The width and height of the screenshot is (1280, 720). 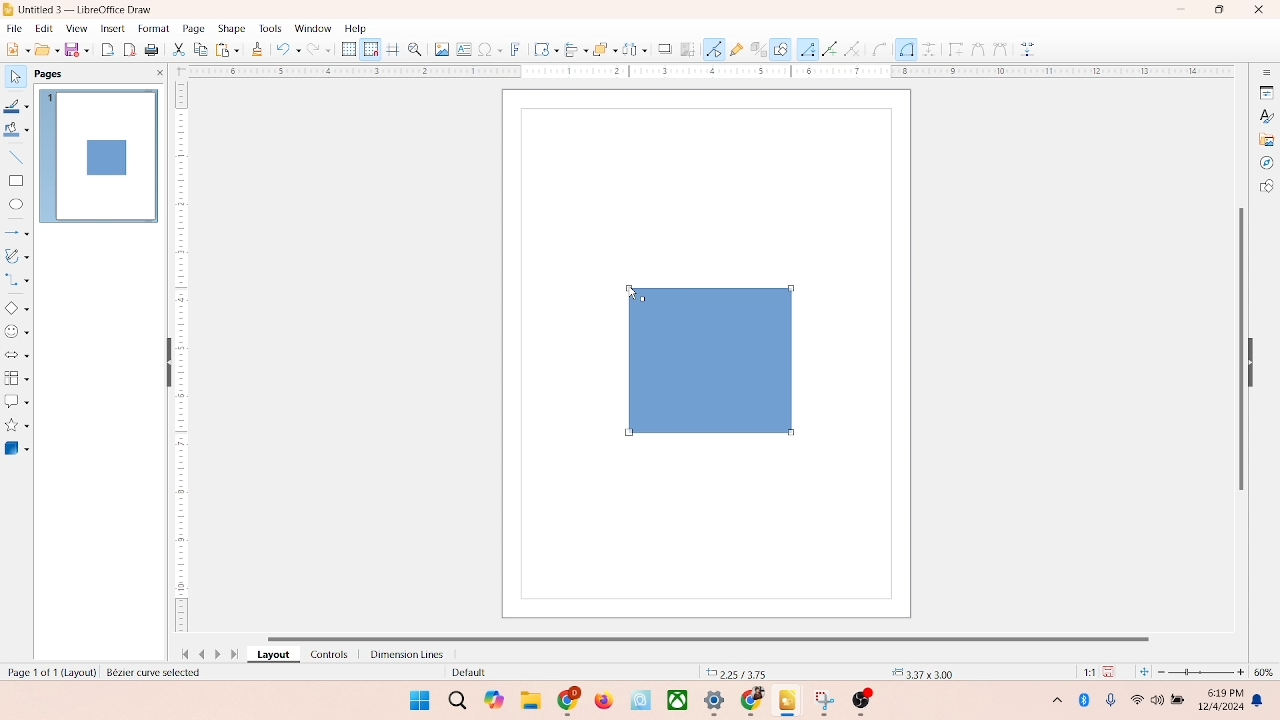 I want to click on dimension lines, so click(x=402, y=654).